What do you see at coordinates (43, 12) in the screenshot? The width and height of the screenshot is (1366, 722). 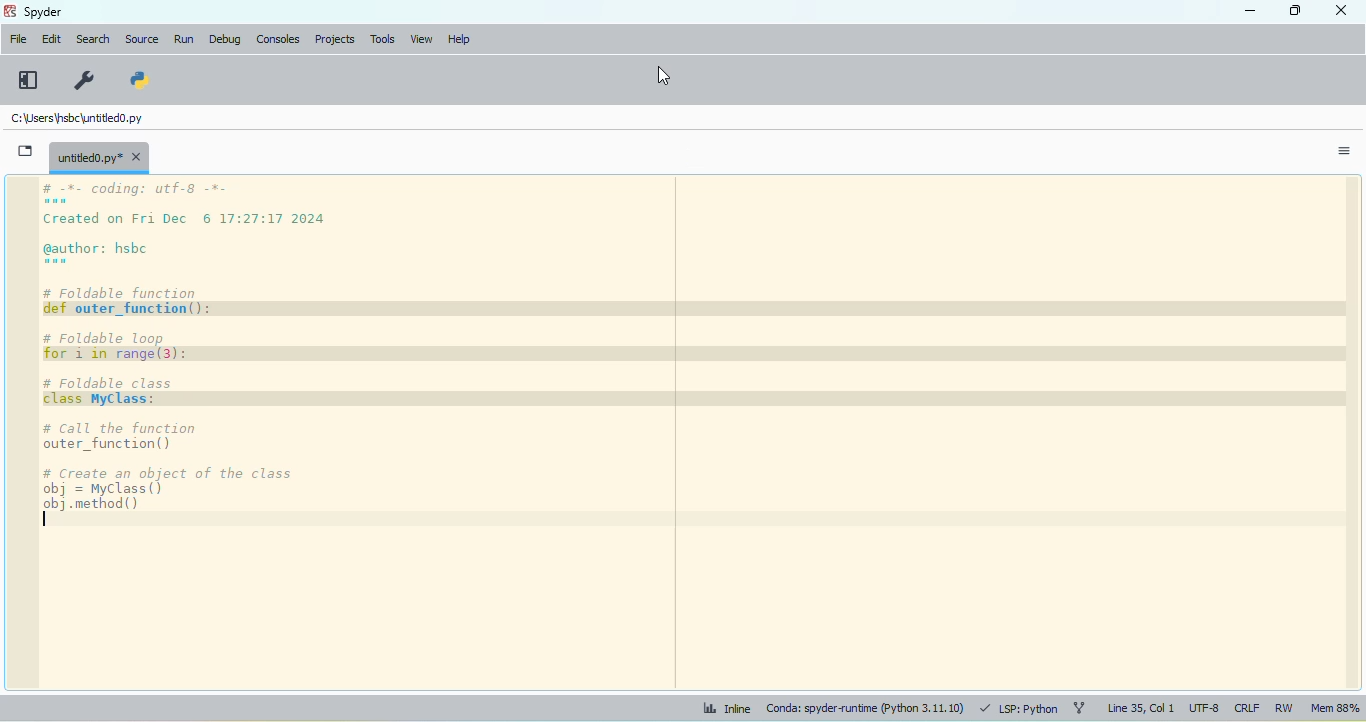 I see `spyder` at bounding box center [43, 12].